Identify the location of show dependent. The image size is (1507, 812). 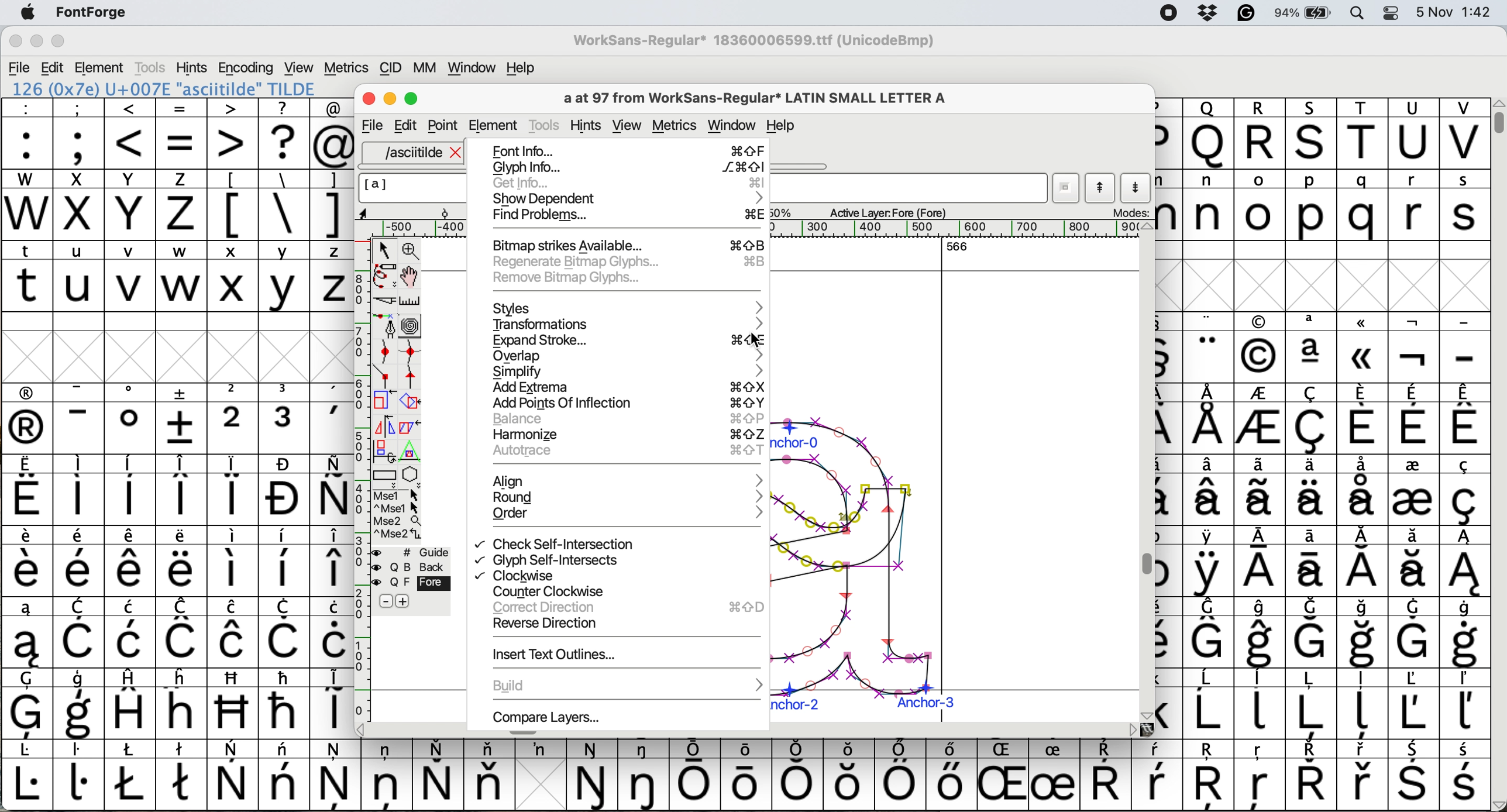
(625, 197).